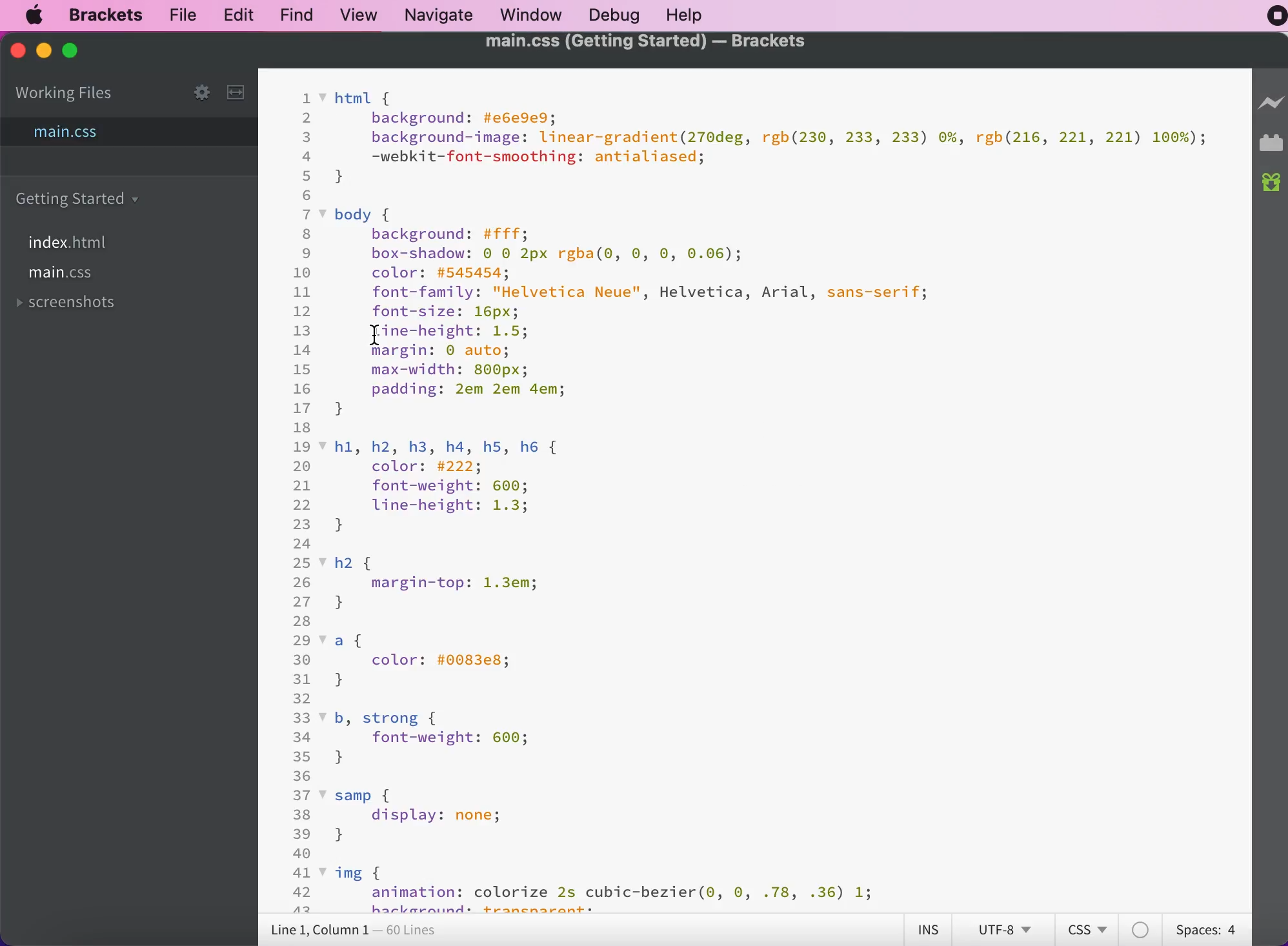 This screenshot has height=946, width=1288. What do you see at coordinates (445, 16) in the screenshot?
I see `navigate` at bounding box center [445, 16].